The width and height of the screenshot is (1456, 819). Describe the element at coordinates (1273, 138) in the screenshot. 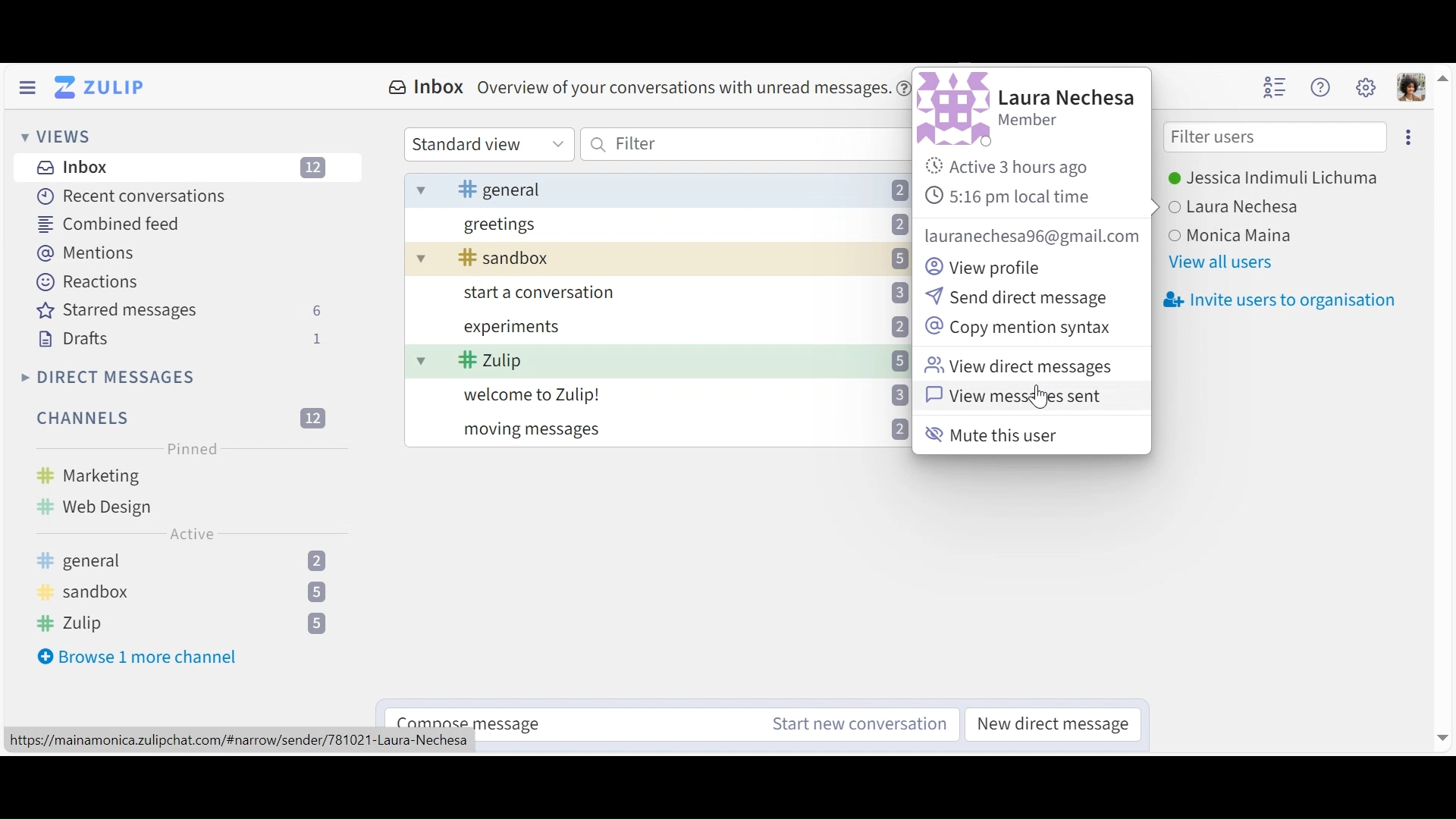

I see `Filter users` at that location.